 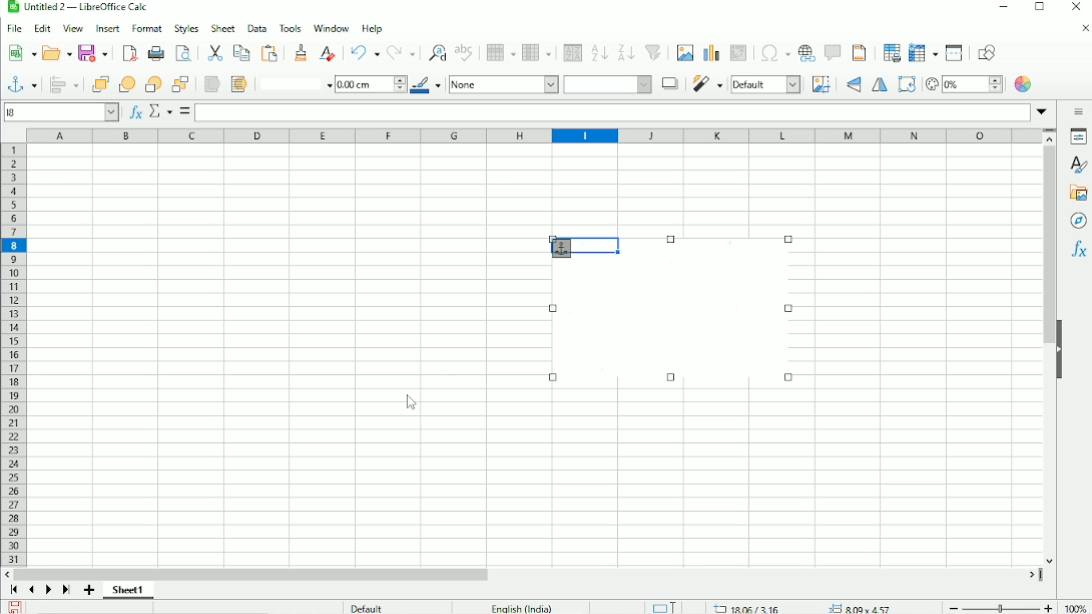 I want to click on transparency , so click(x=963, y=83).